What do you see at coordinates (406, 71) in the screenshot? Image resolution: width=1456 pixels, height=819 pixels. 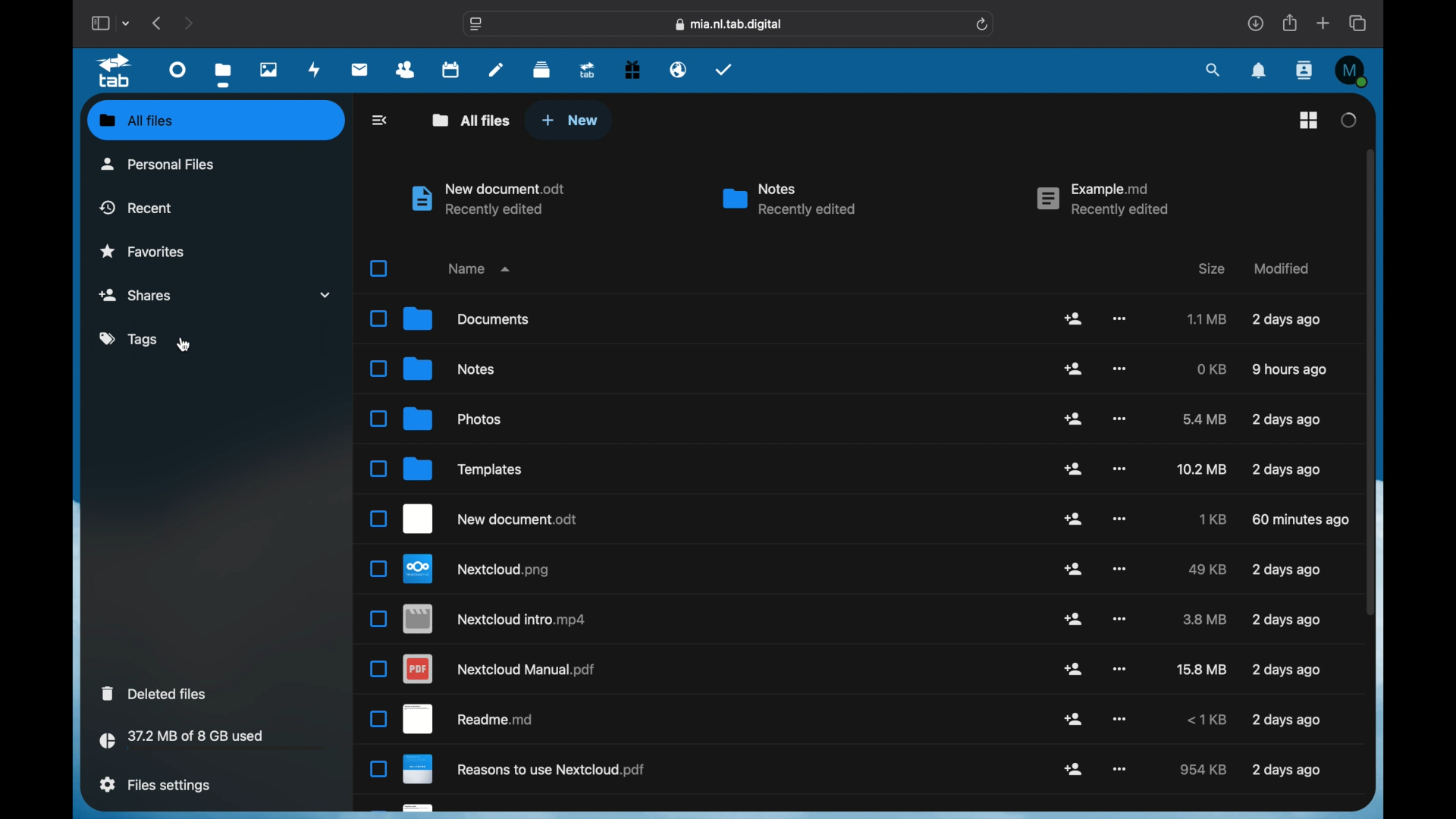 I see `contacts` at bounding box center [406, 71].